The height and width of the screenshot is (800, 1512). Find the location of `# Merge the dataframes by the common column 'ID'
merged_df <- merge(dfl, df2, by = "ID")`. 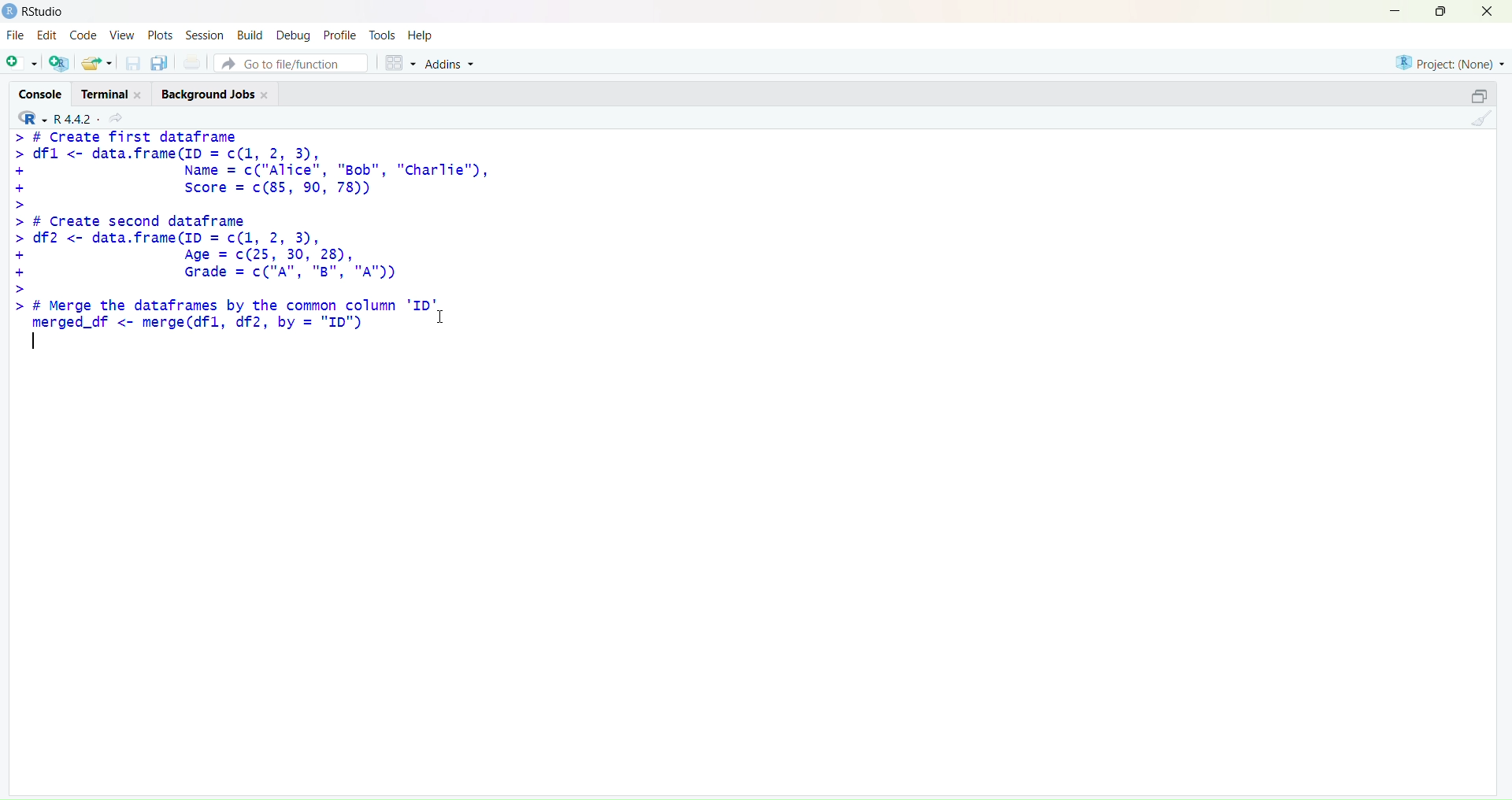

# Merge the dataframes by the common column 'ID'
merged_df <- merge(dfl, df2, by = "ID") is located at coordinates (224, 314).